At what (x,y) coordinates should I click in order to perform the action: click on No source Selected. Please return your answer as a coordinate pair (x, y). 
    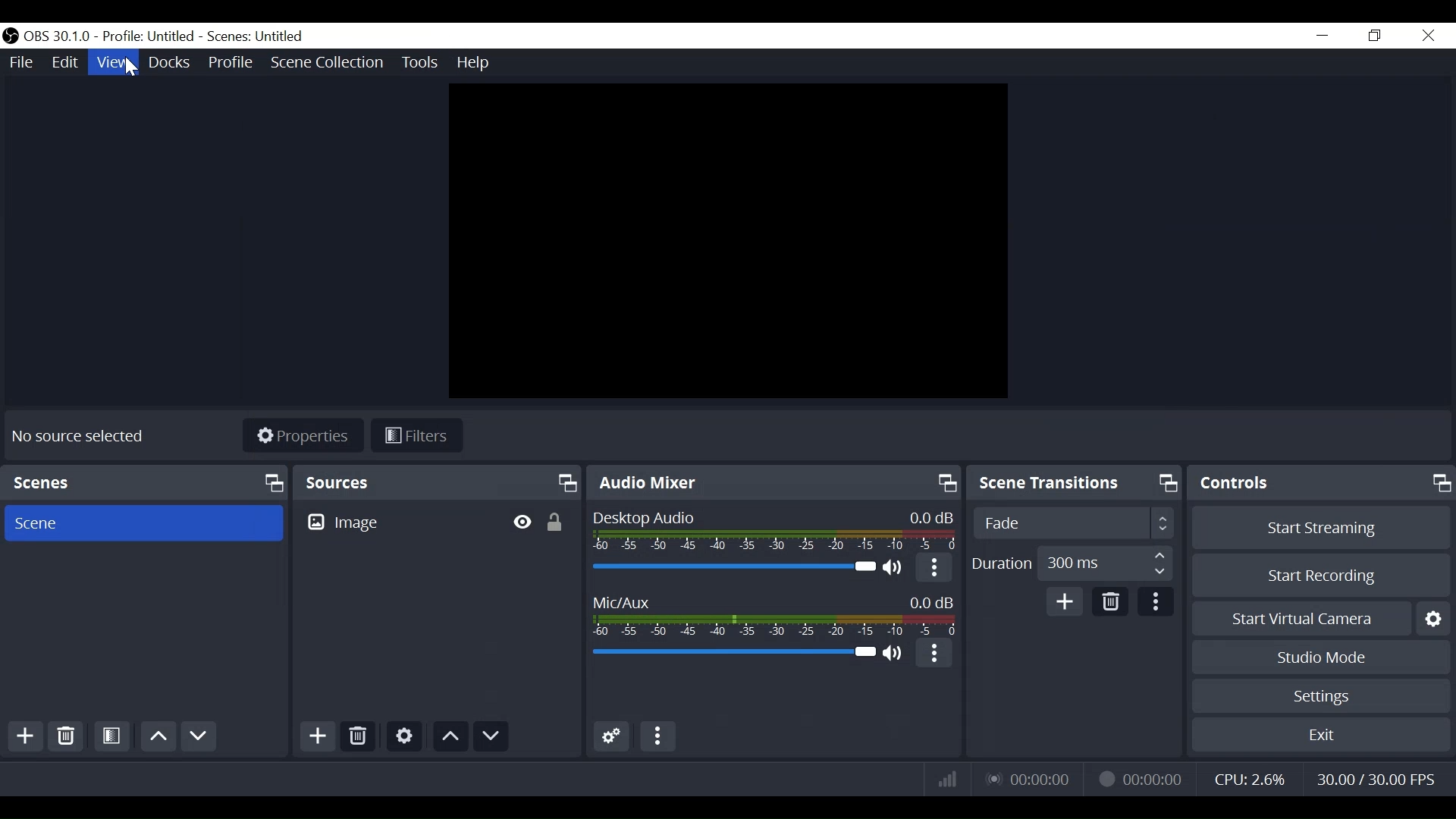
    Looking at the image, I should click on (80, 435).